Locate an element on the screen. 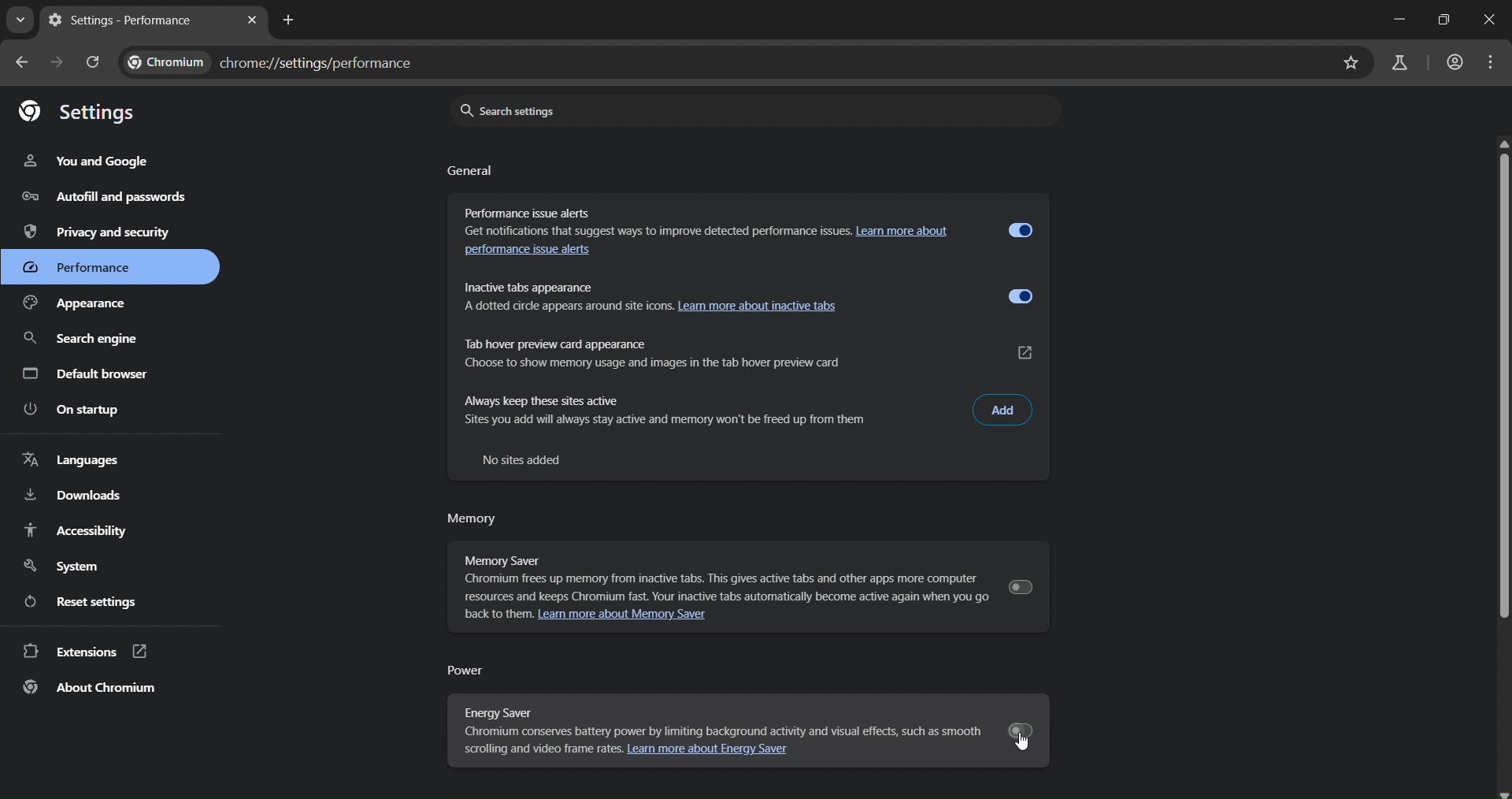 Image resolution: width=1512 pixels, height=799 pixels. reload page is located at coordinates (94, 63).